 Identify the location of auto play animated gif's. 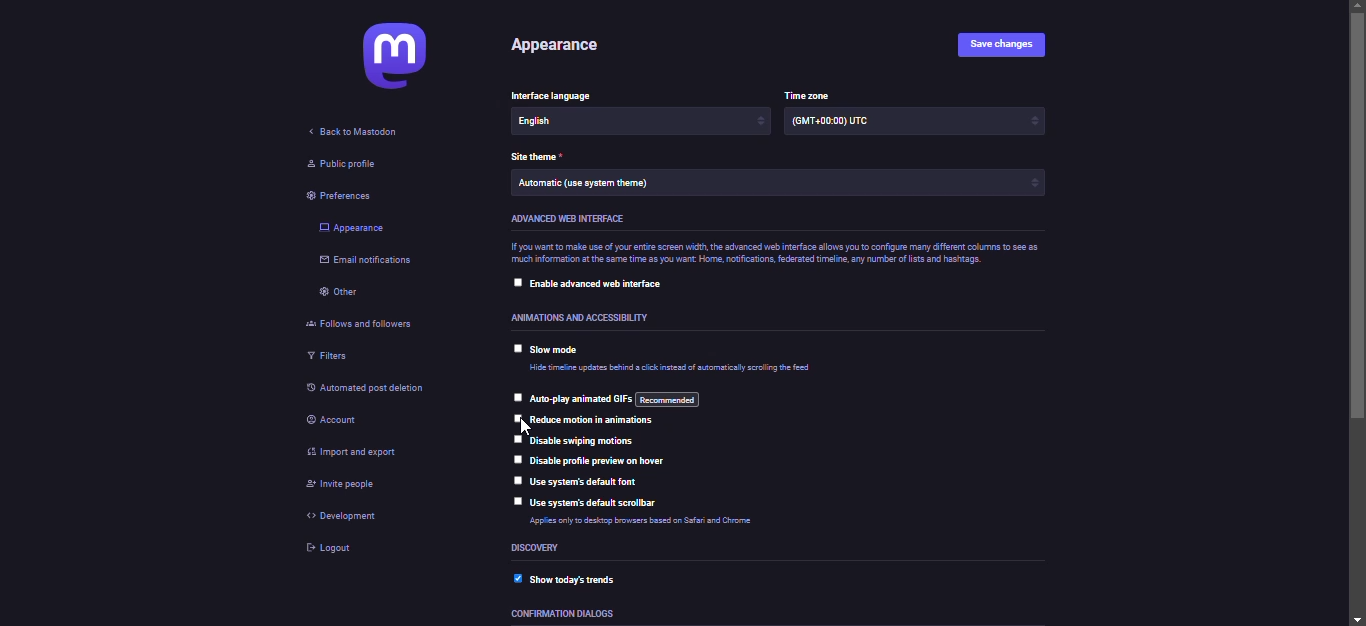
(615, 399).